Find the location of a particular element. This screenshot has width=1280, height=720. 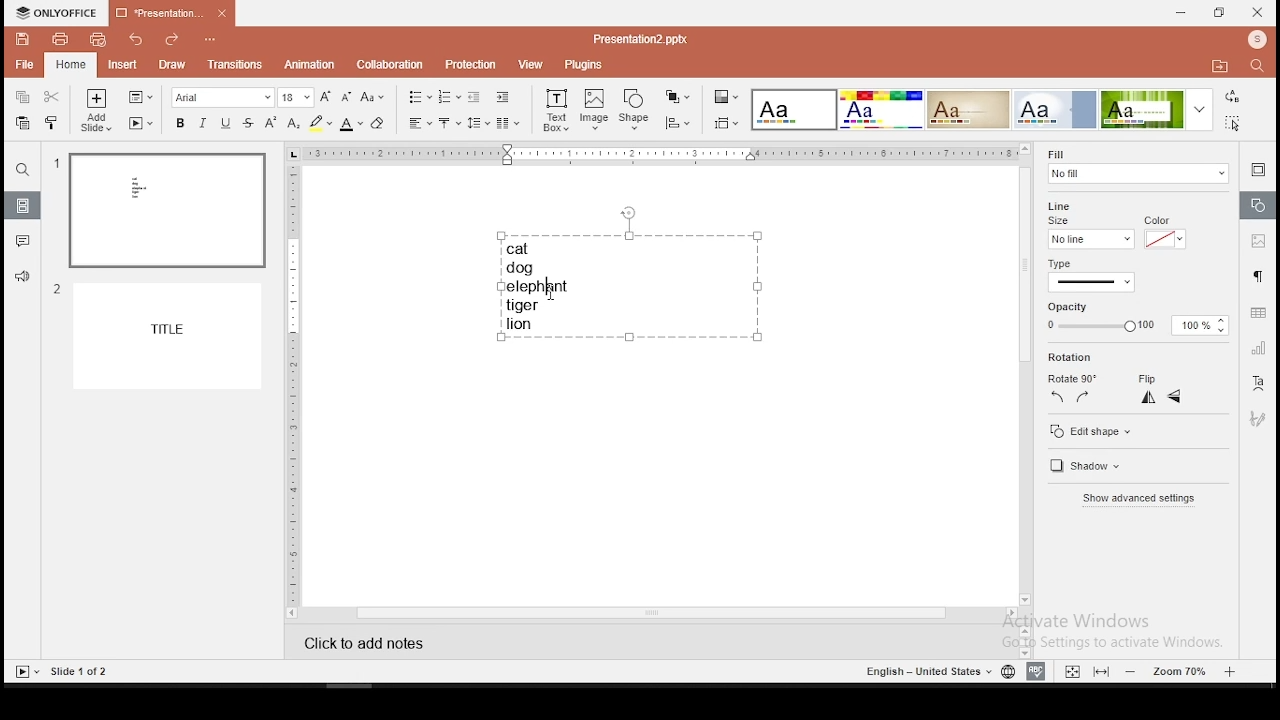

highlight is located at coordinates (320, 123).